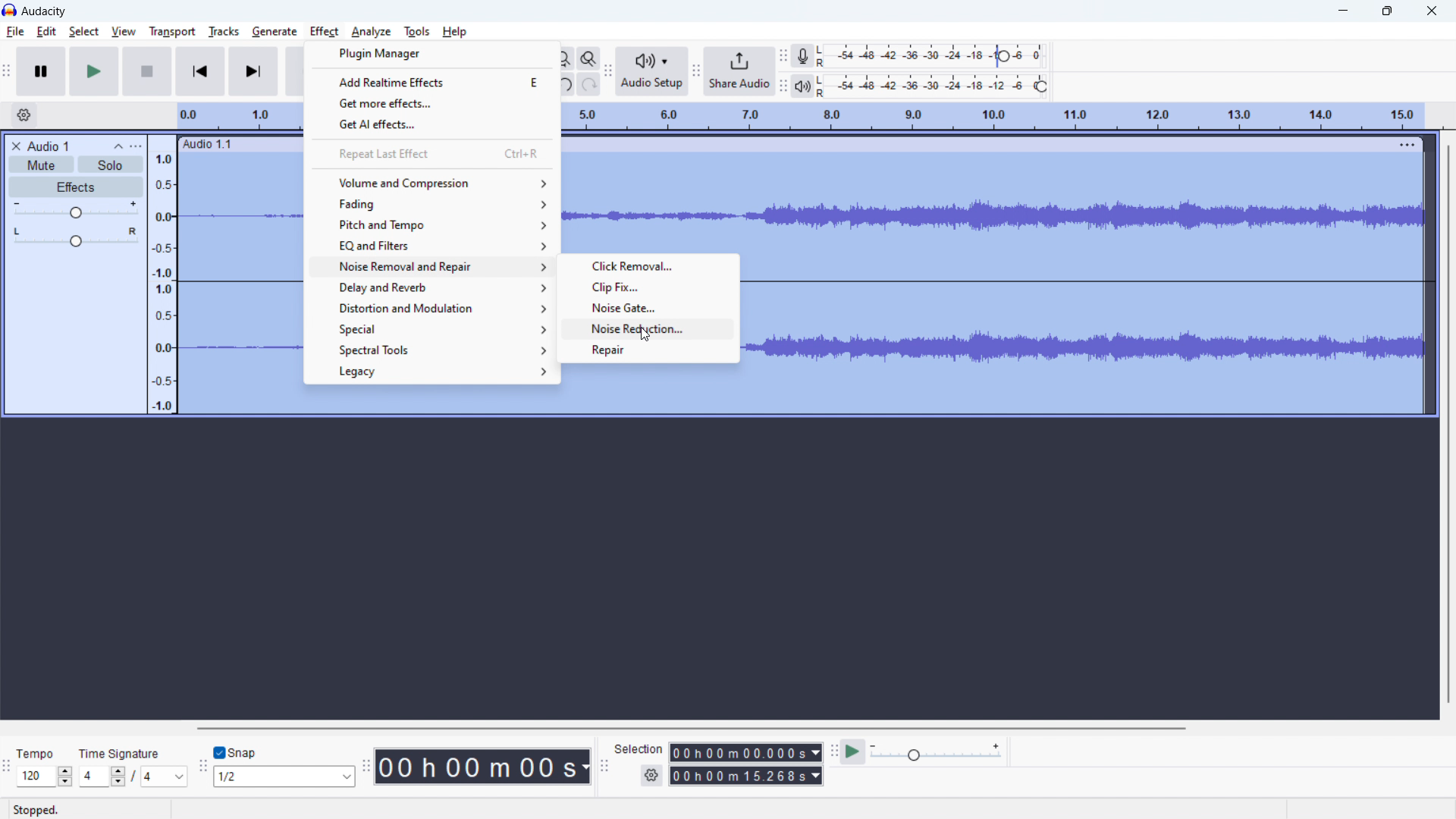  What do you see at coordinates (646, 334) in the screenshot?
I see `cursor on Noise Reduction` at bounding box center [646, 334].